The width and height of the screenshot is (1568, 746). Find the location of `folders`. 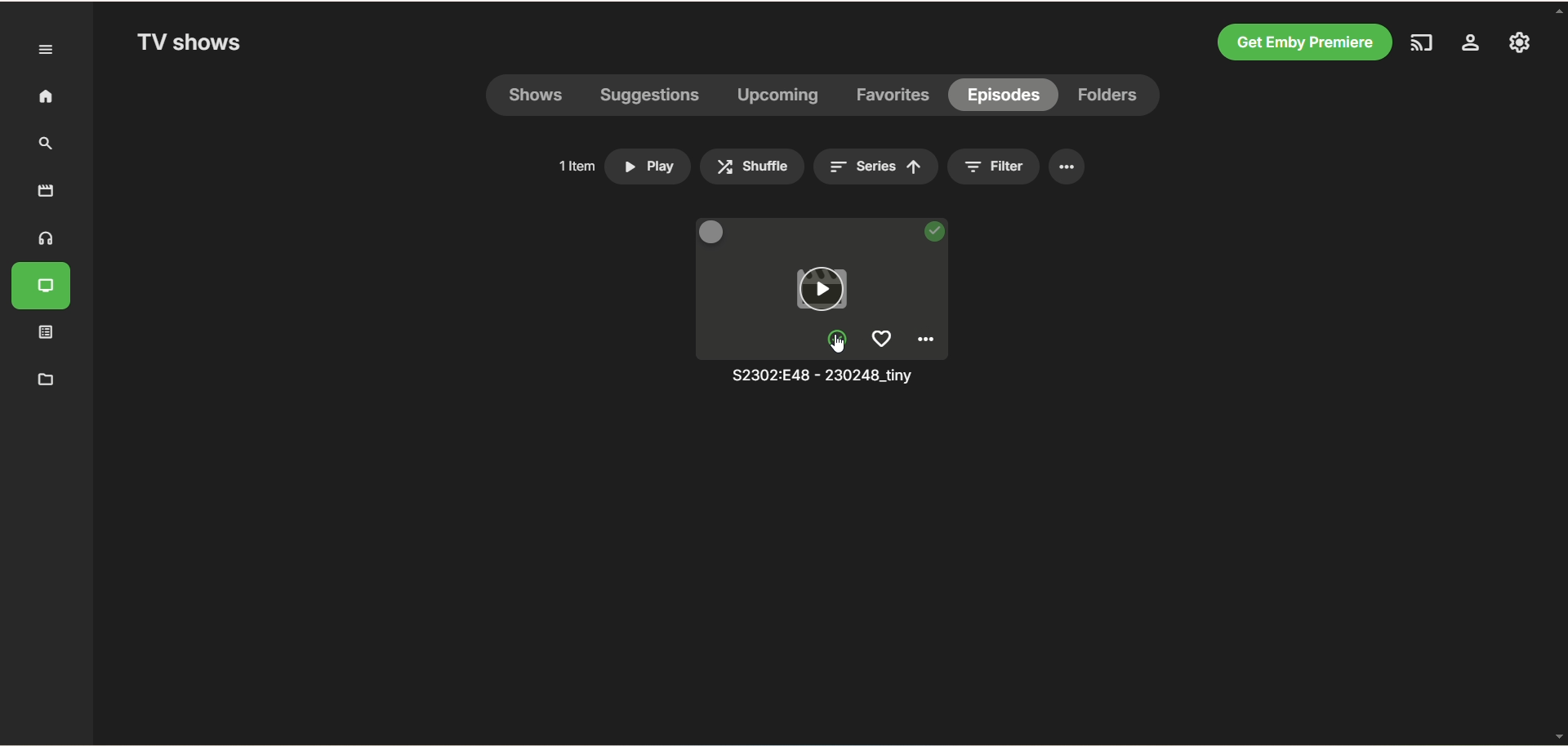

folders is located at coordinates (1111, 95).